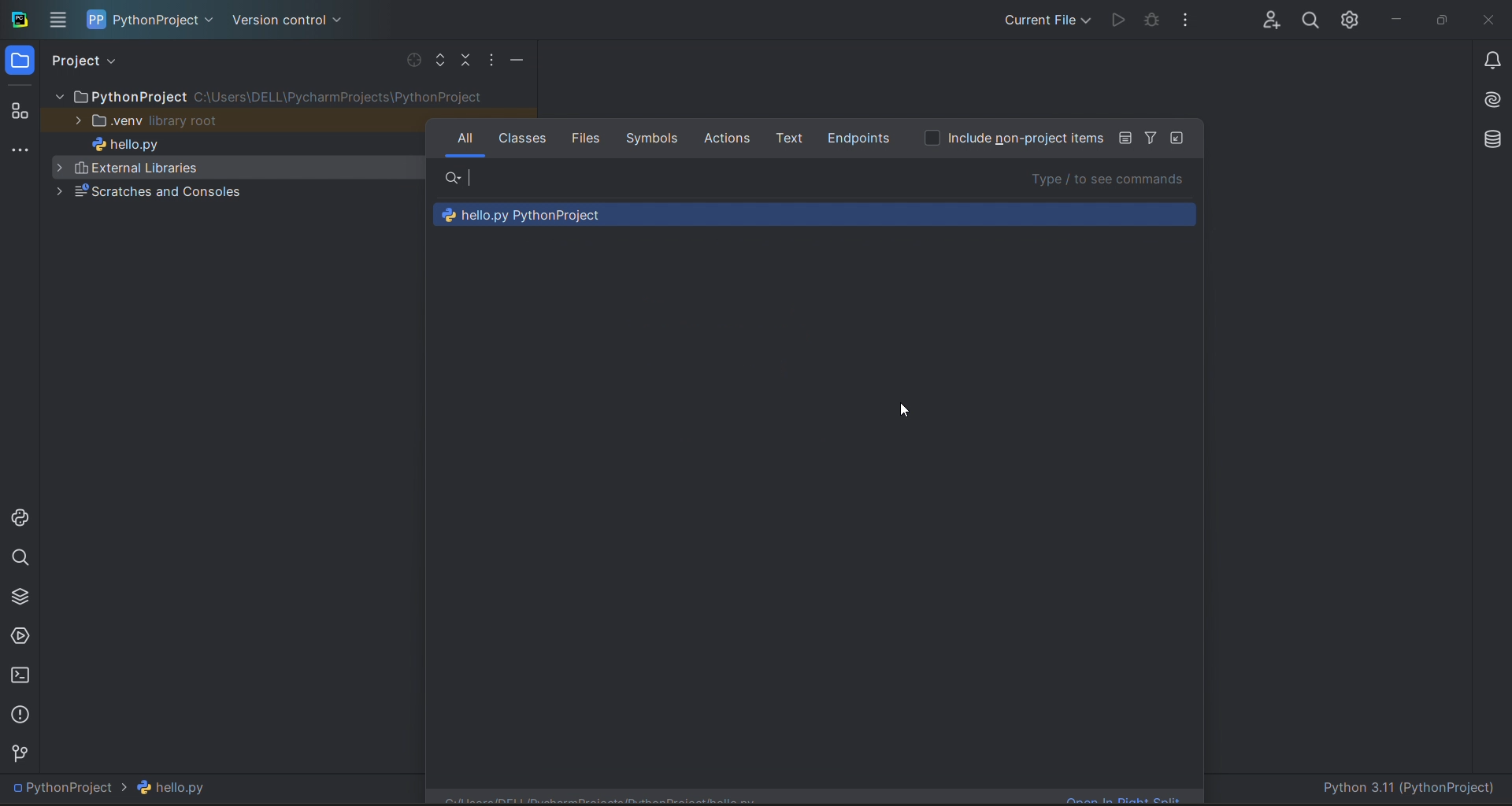 The width and height of the screenshot is (1512, 806). Describe the element at coordinates (1394, 18) in the screenshot. I see `minimize` at that location.